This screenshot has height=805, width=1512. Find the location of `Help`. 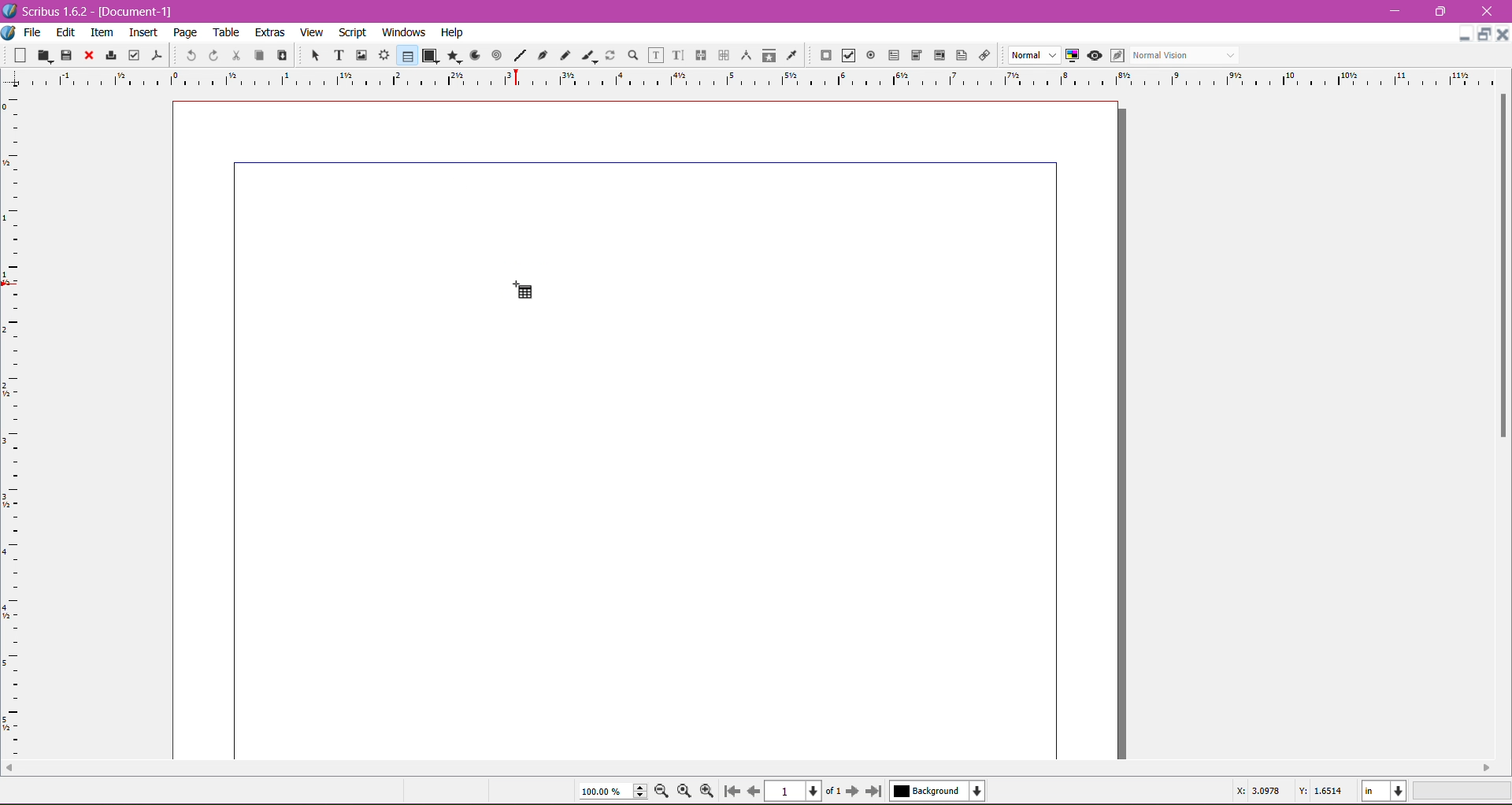

Help is located at coordinates (452, 33).